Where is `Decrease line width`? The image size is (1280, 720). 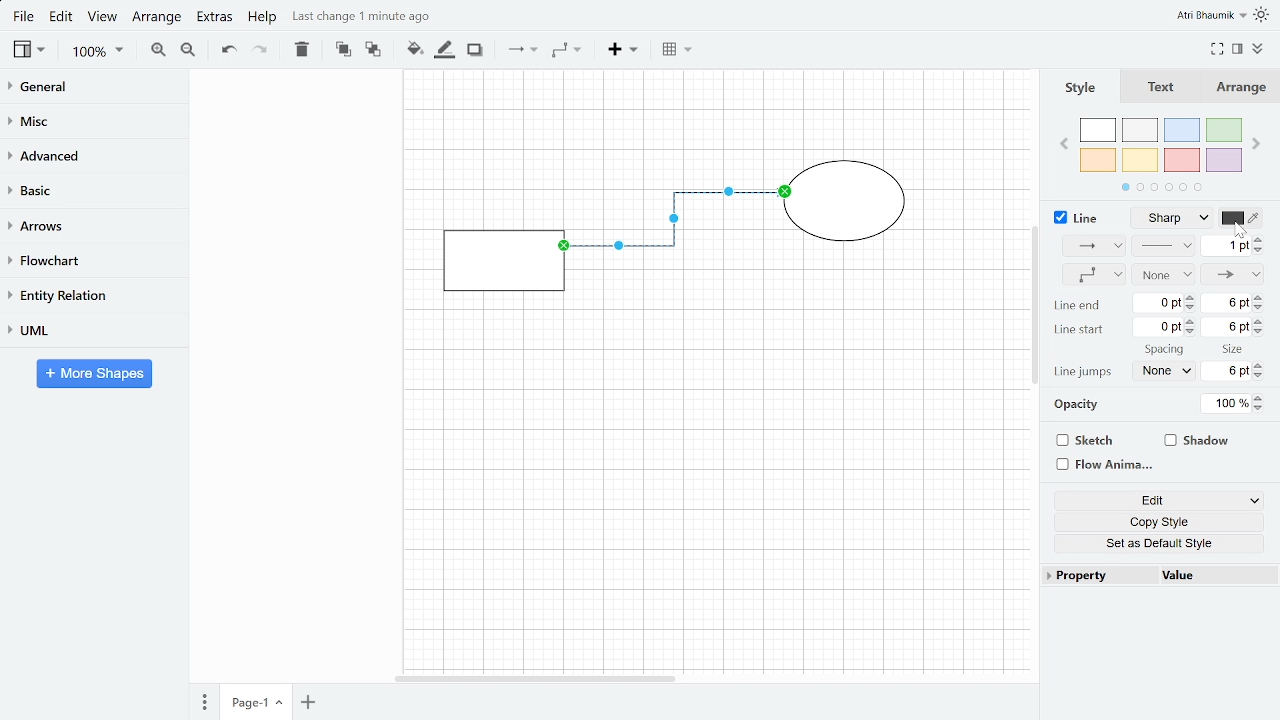 Decrease line width is located at coordinates (1261, 250).